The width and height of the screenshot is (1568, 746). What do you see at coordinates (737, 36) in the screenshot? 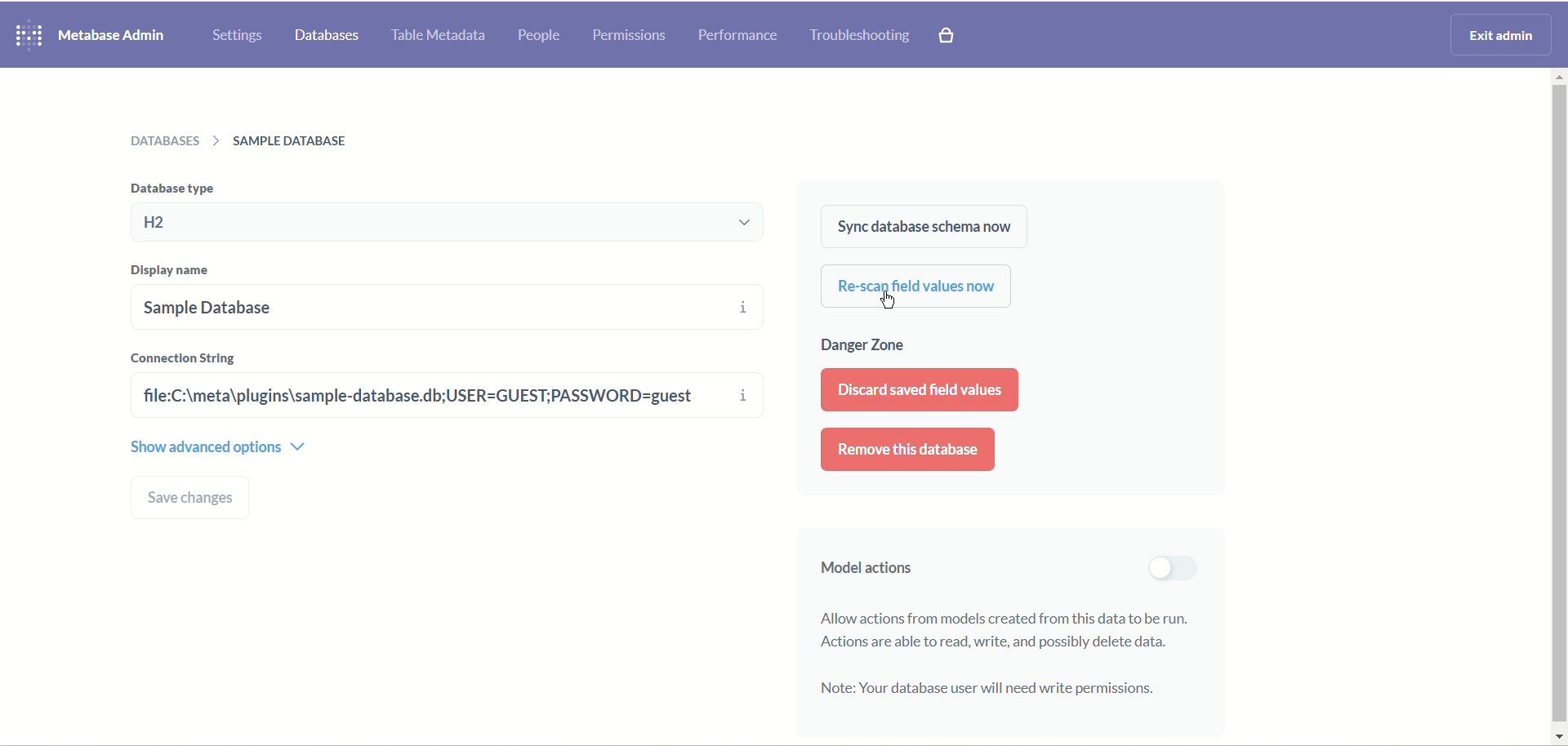
I see `performance` at bounding box center [737, 36].